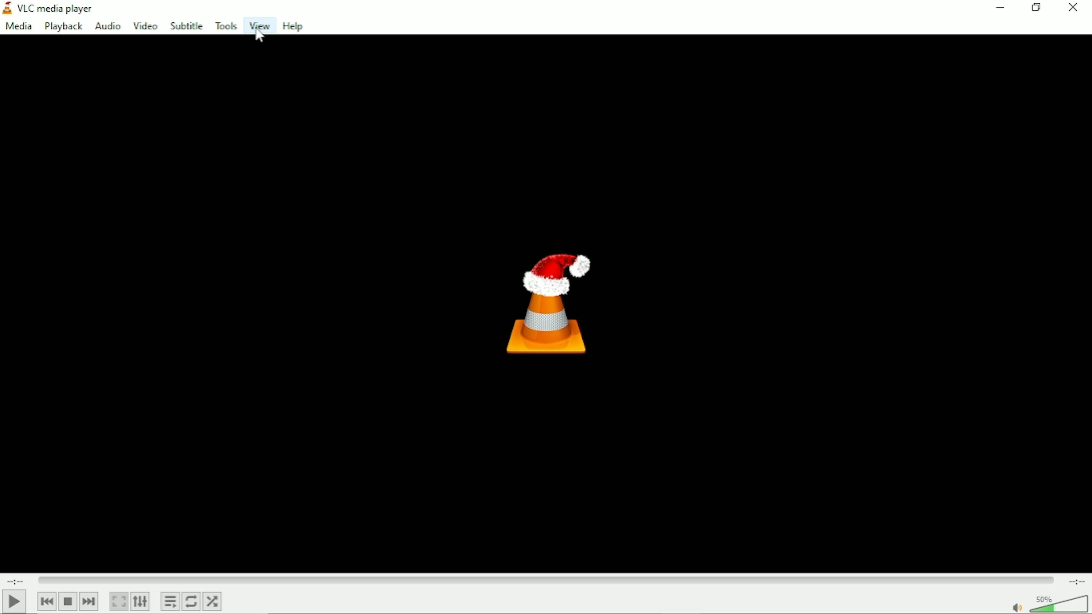 This screenshot has width=1092, height=614. Describe the element at coordinates (17, 601) in the screenshot. I see `Play` at that location.